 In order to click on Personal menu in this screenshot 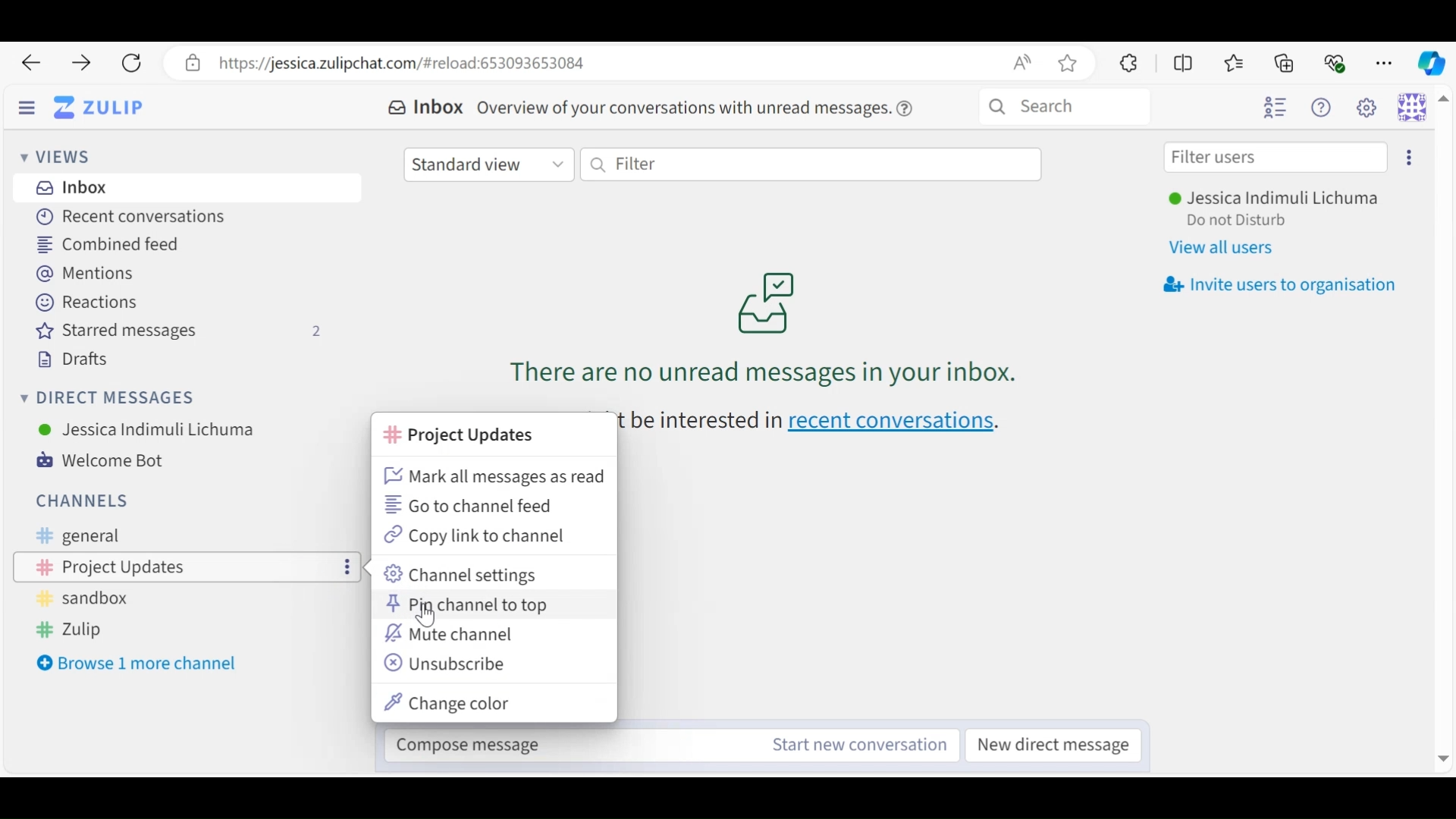, I will do `click(1412, 106)`.